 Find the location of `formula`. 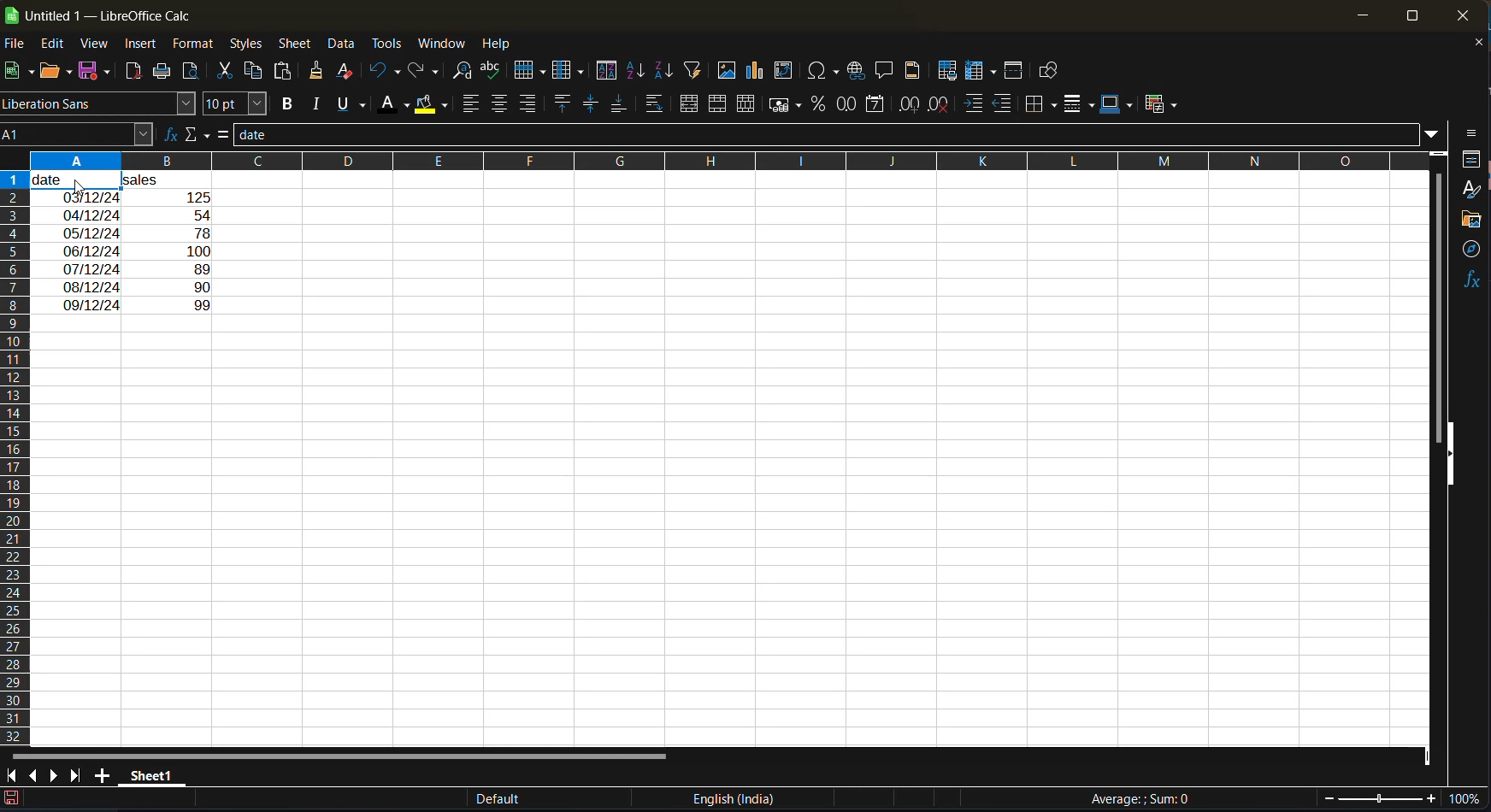

formula is located at coordinates (224, 134).